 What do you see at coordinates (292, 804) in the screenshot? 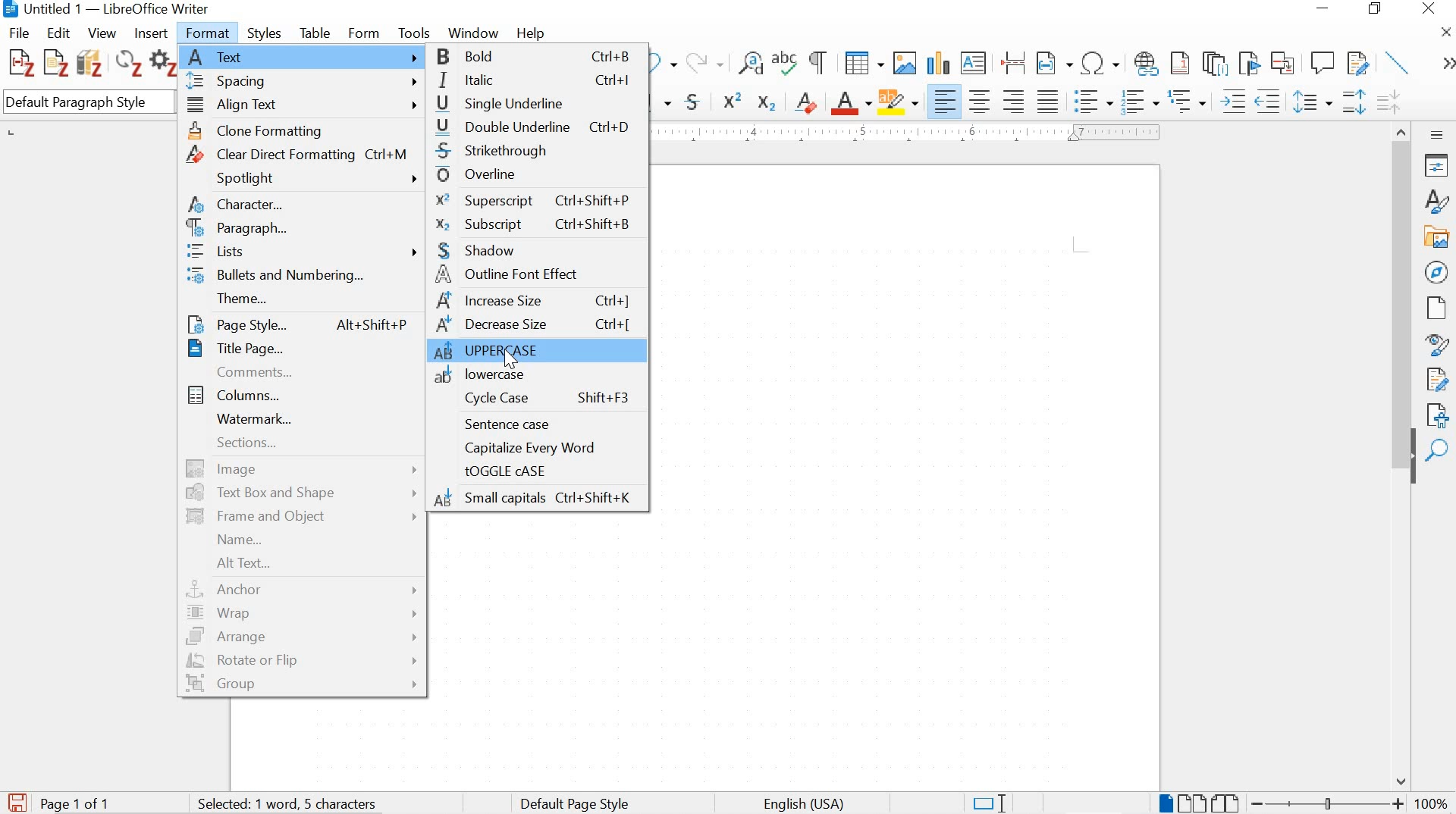
I see `1 word and 5 character` at bounding box center [292, 804].